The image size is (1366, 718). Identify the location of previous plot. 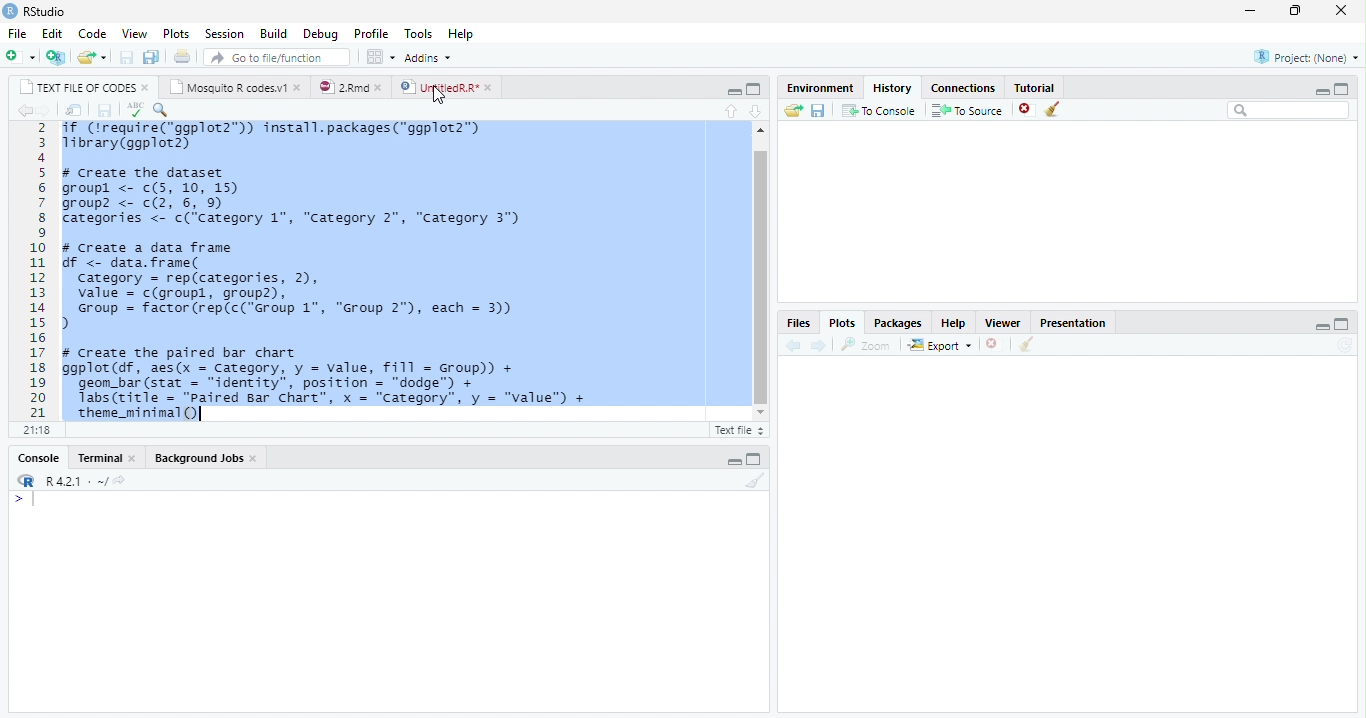
(793, 346).